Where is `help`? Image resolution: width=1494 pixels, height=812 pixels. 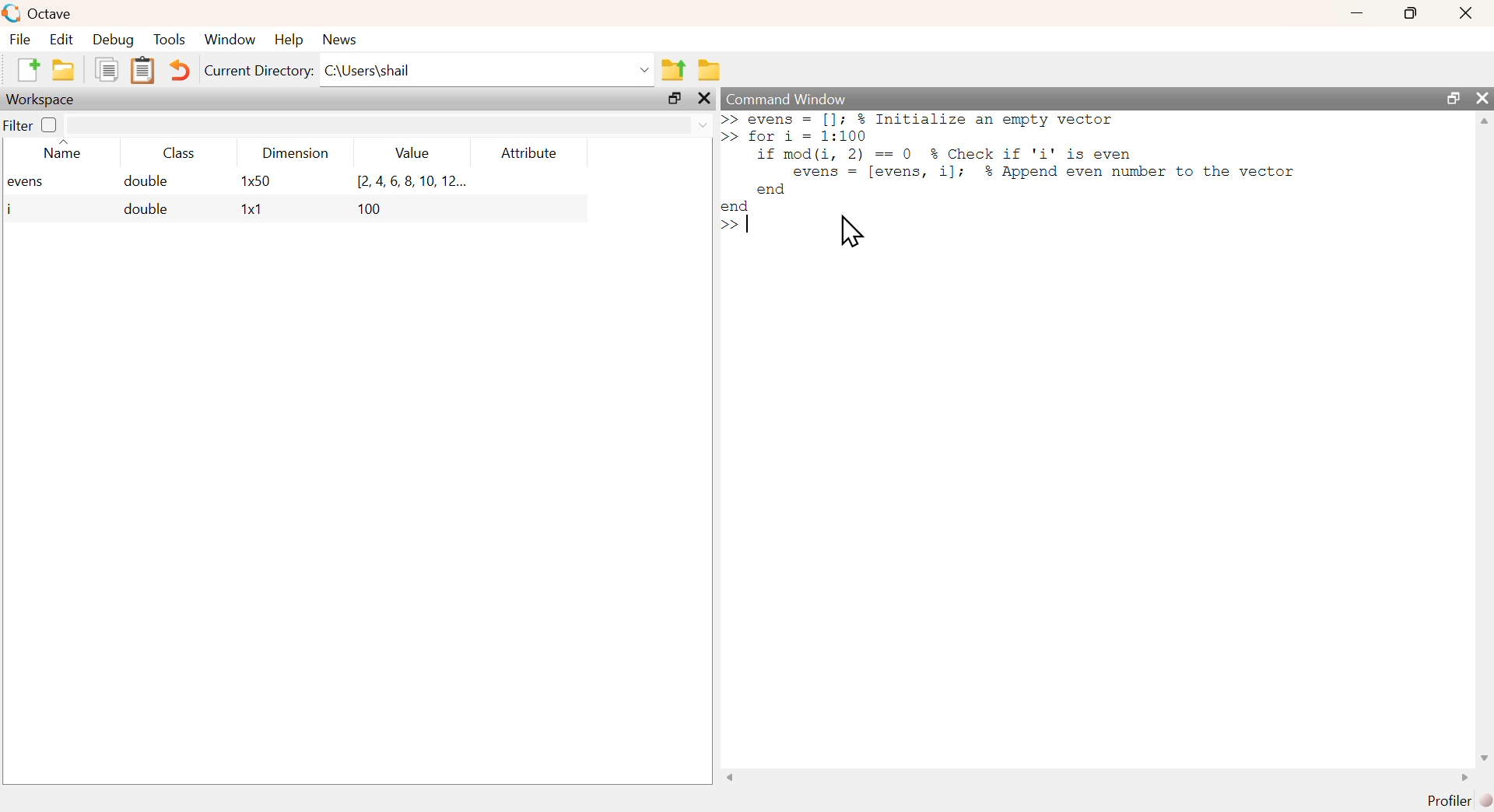
help is located at coordinates (288, 38).